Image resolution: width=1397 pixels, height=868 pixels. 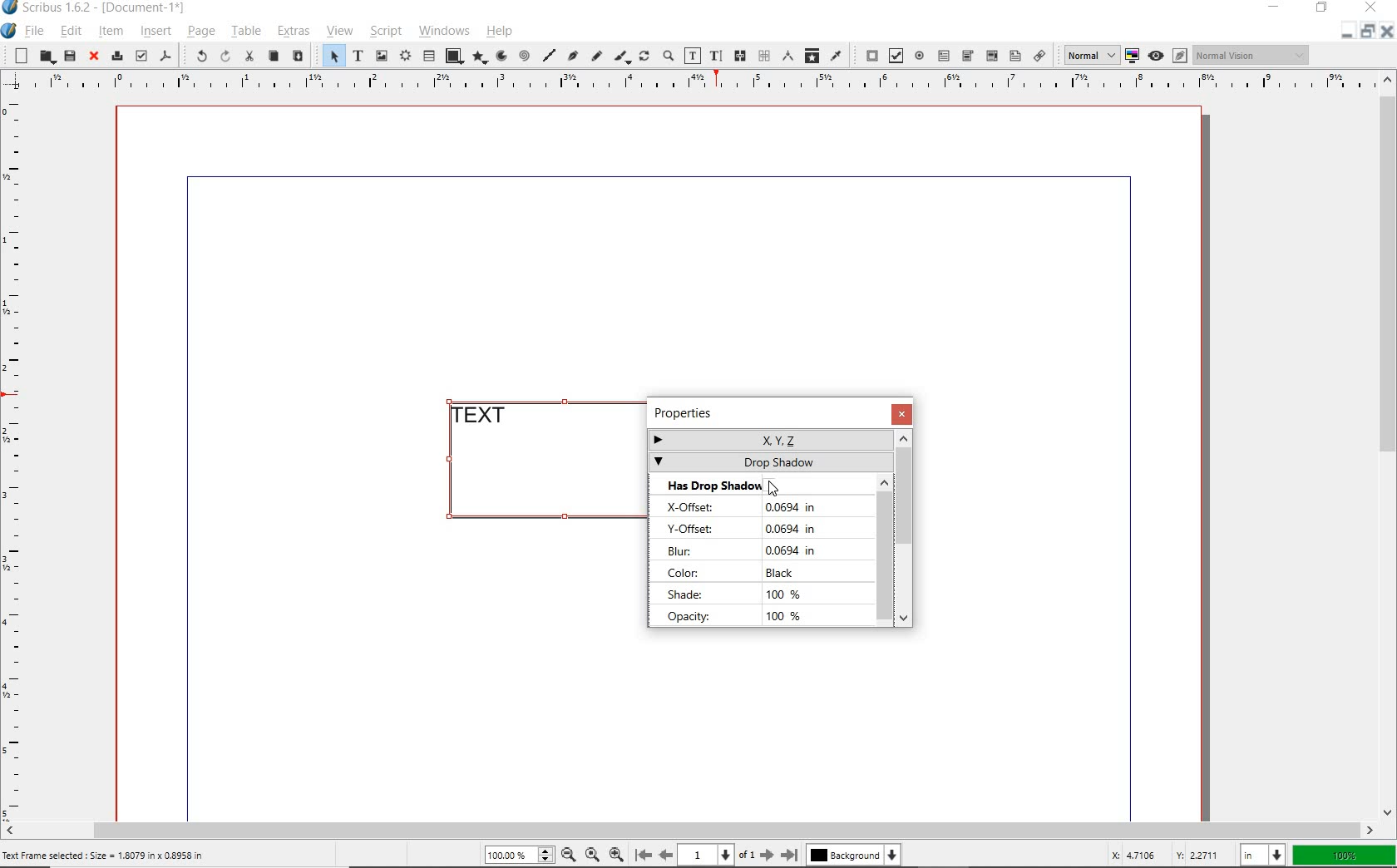 I want to click on scrollbar, so click(x=905, y=527).